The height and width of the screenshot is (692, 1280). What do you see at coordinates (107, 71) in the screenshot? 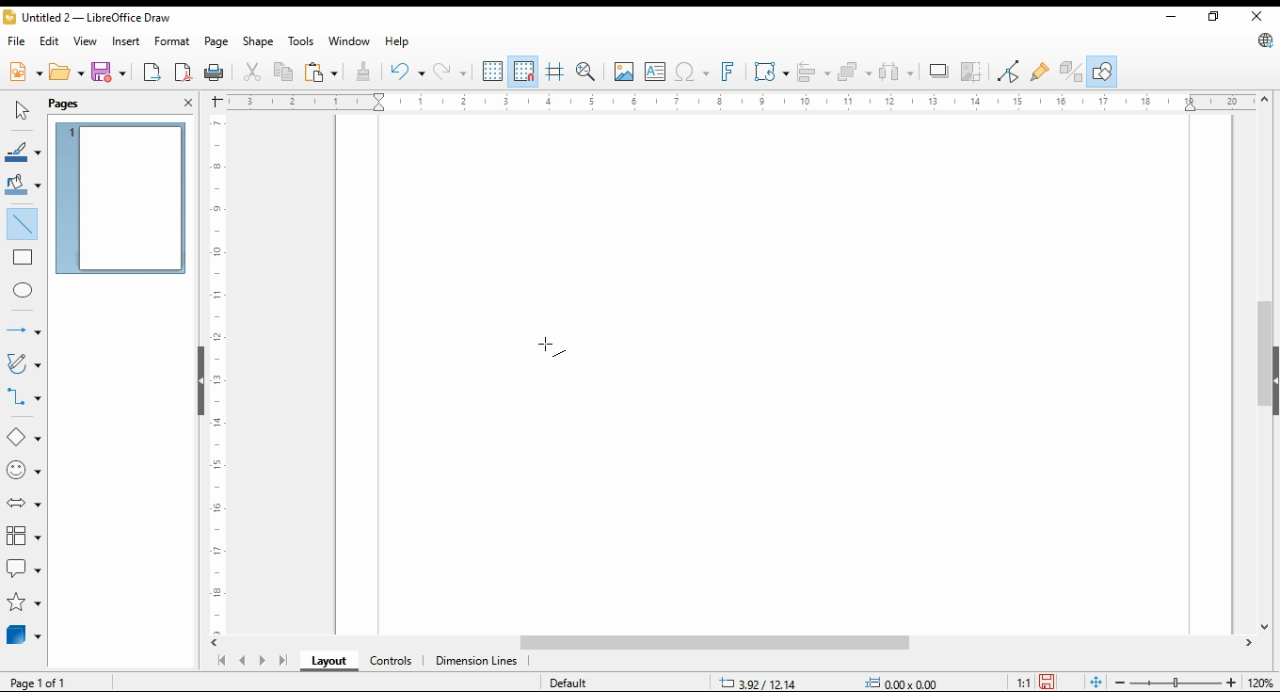
I see `save` at bounding box center [107, 71].